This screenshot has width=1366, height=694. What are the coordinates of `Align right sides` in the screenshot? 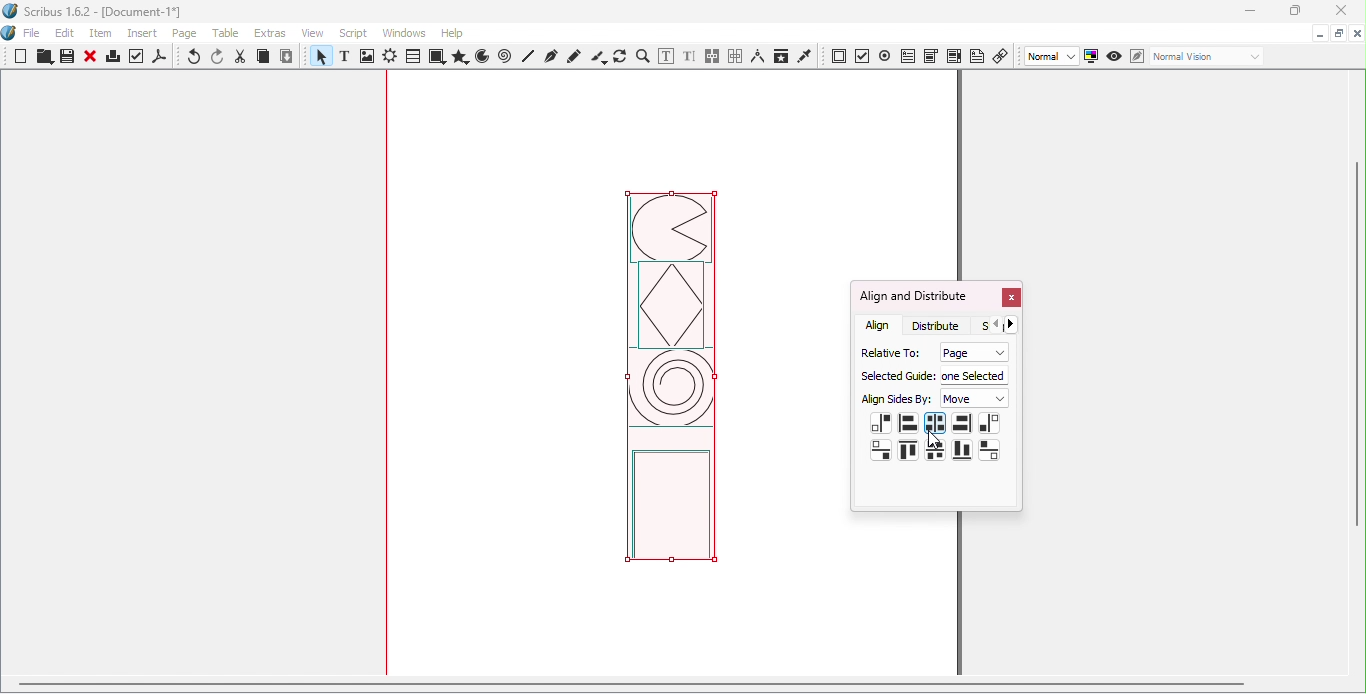 It's located at (961, 424).